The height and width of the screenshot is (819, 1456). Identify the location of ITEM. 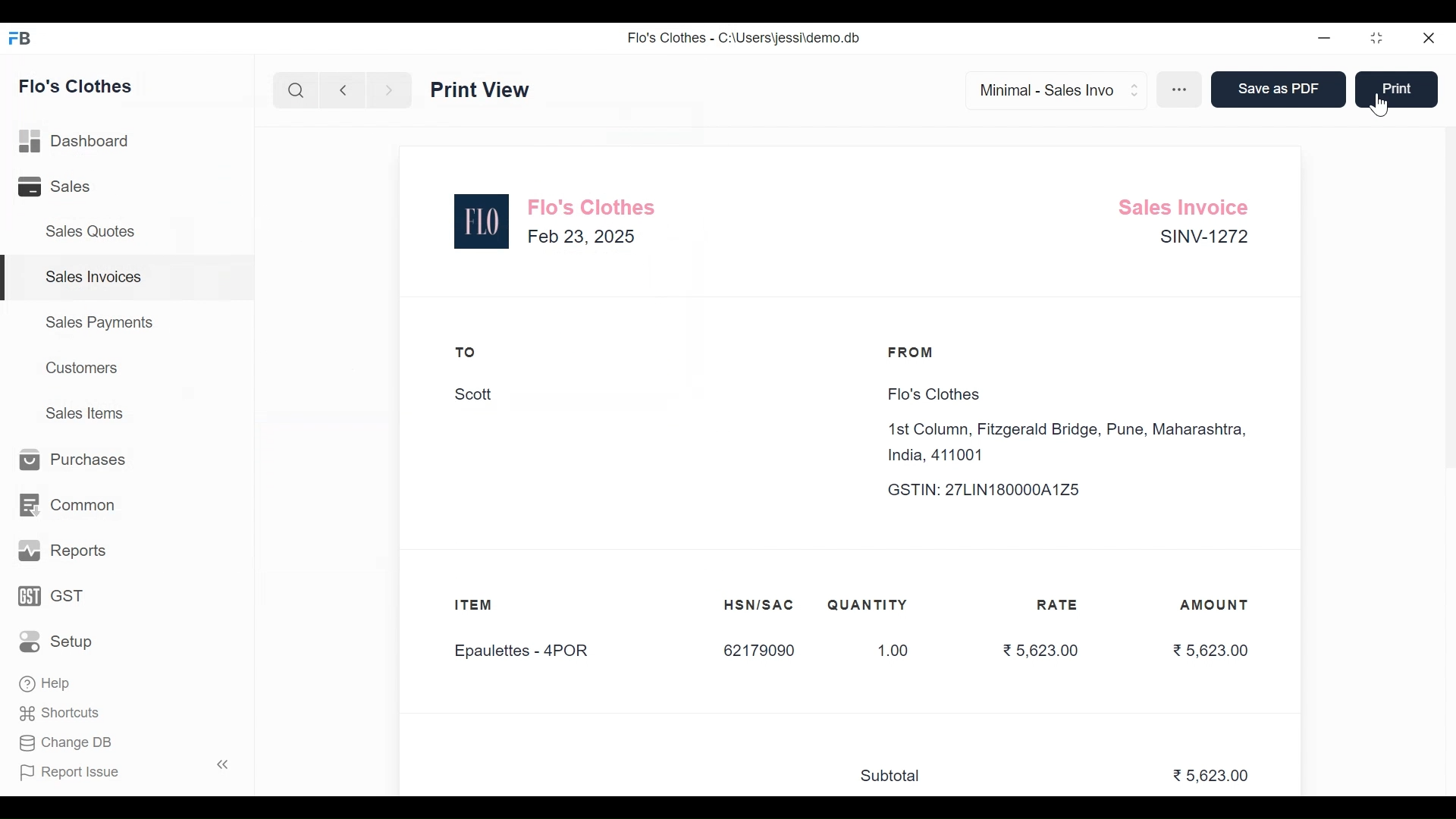
(488, 607).